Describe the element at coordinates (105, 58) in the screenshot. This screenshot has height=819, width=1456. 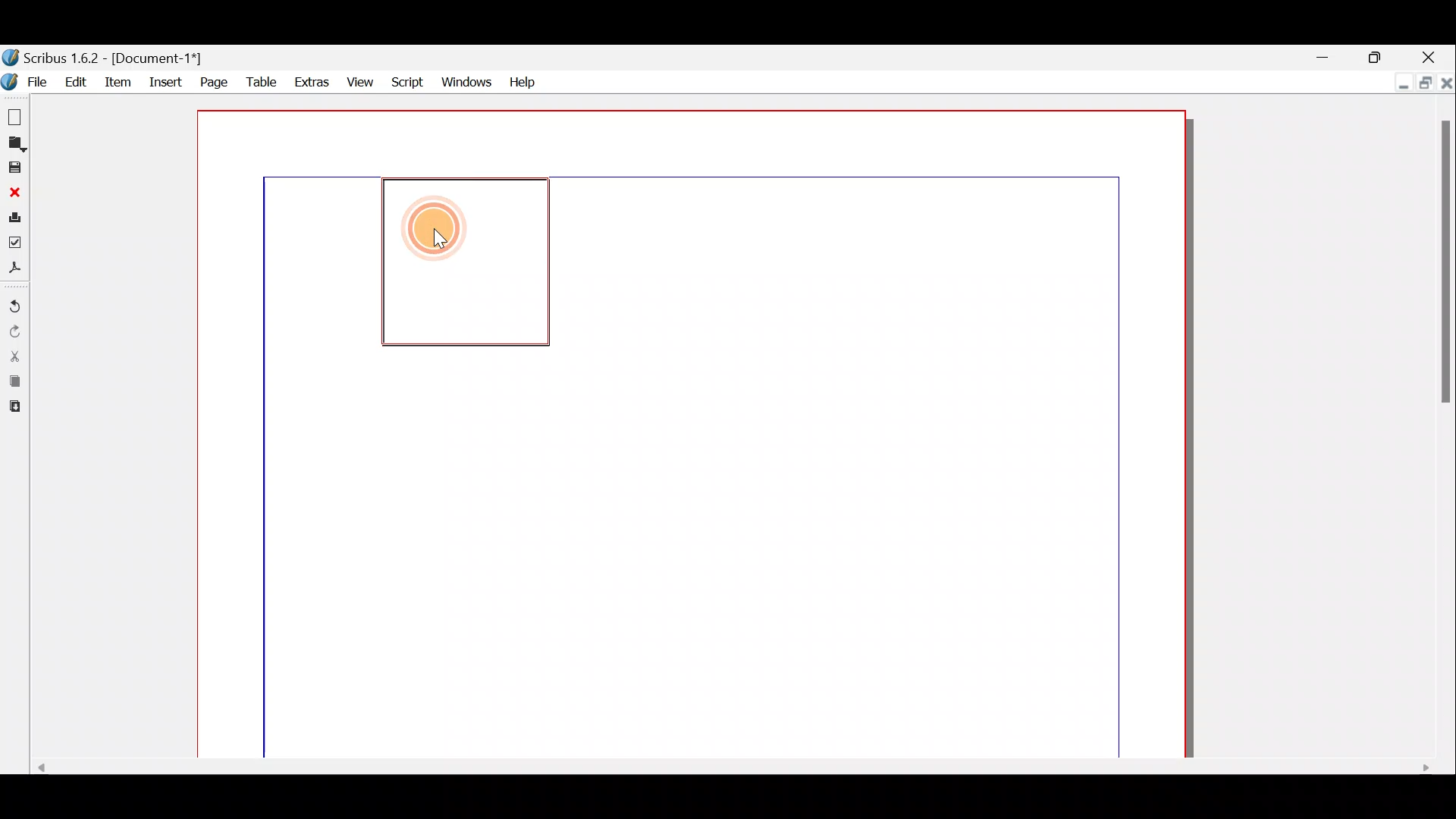
I see `Document name` at that location.